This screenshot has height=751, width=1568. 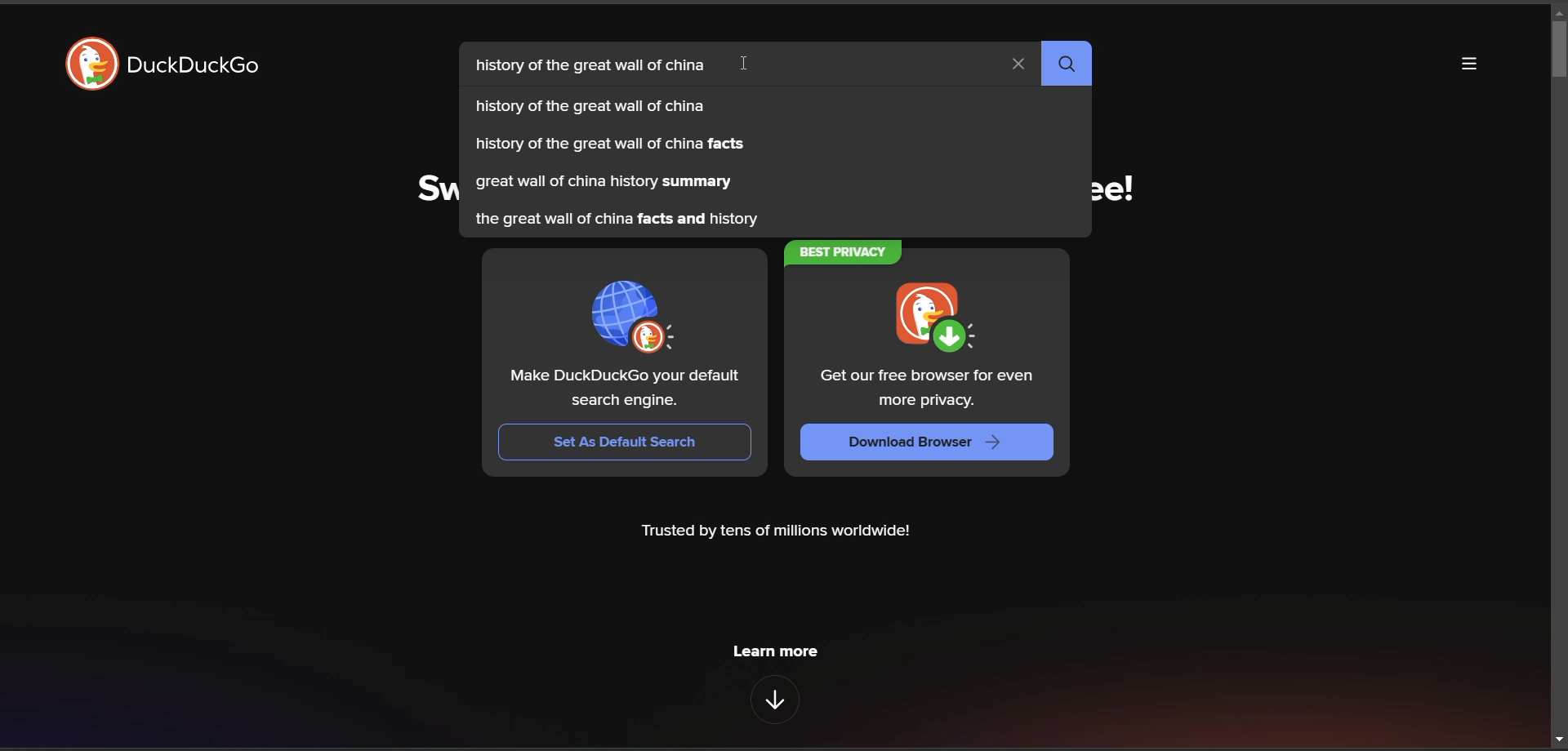 I want to click on the great wall of china facts and history, so click(x=618, y=223).